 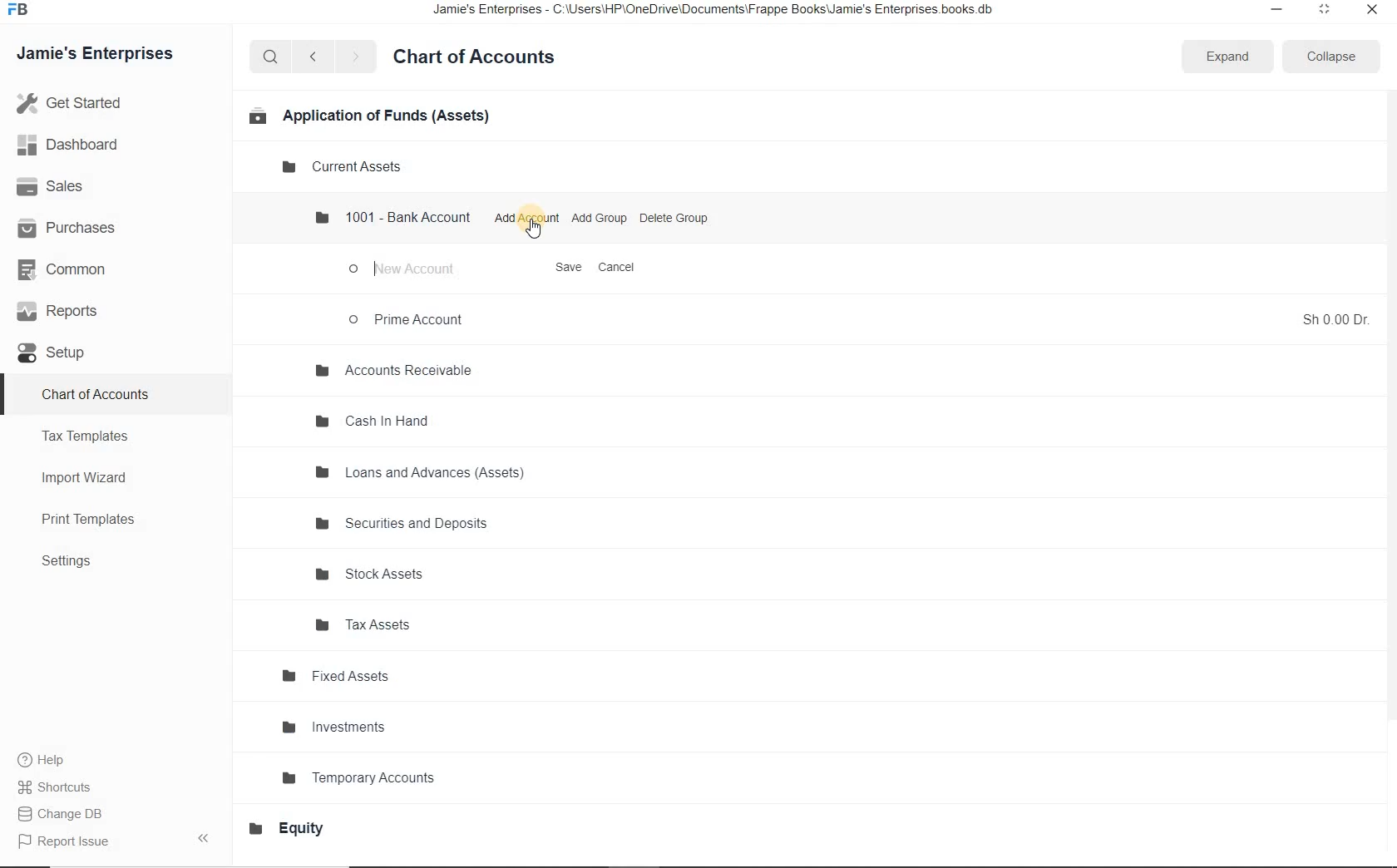 What do you see at coordinates (481, 57) in the screenshot?
I see `Chart of Accounts` at bounding box center [481, 57].